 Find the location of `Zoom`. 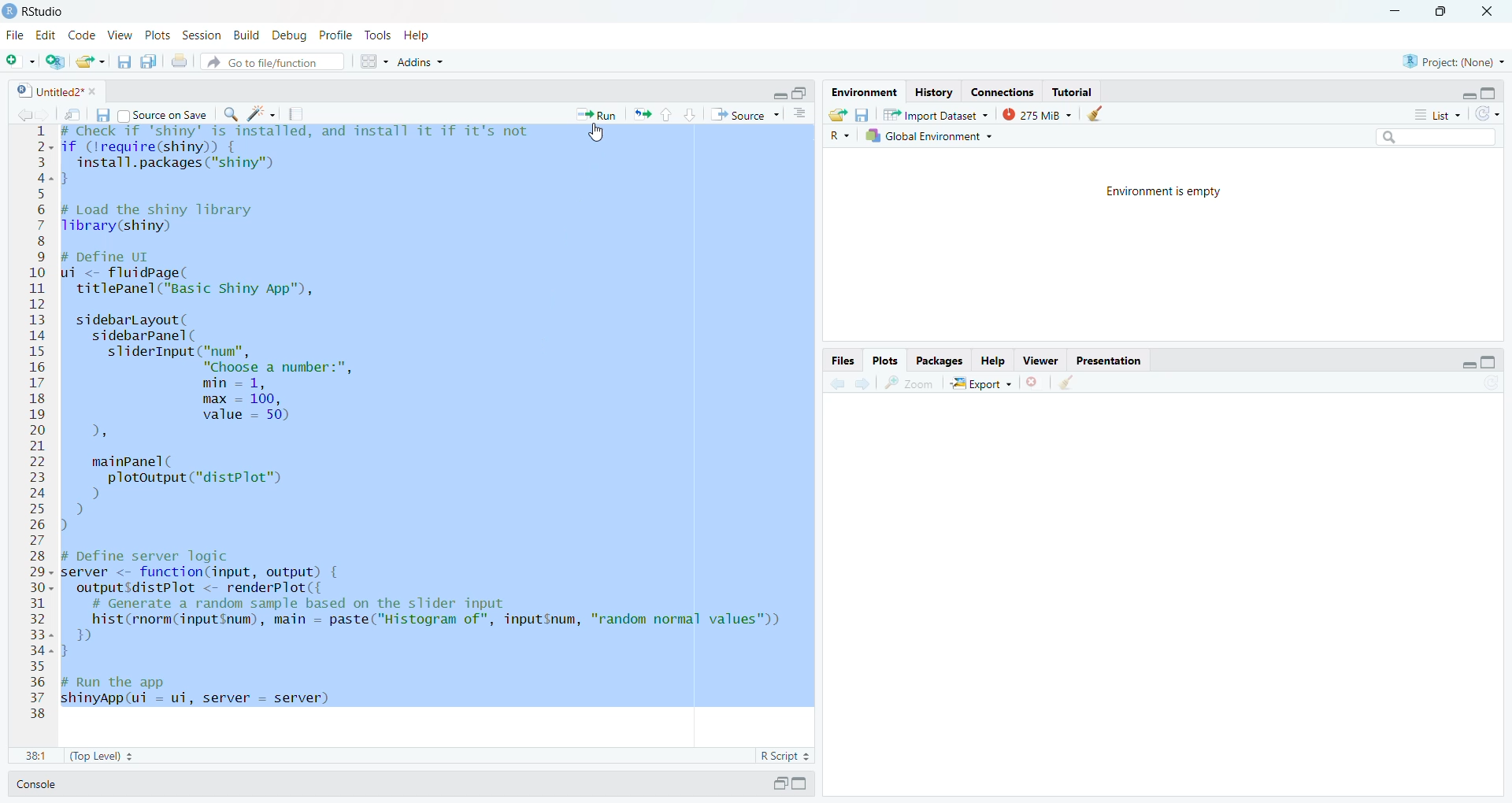

Zoom is located at coordinates (909, 383).